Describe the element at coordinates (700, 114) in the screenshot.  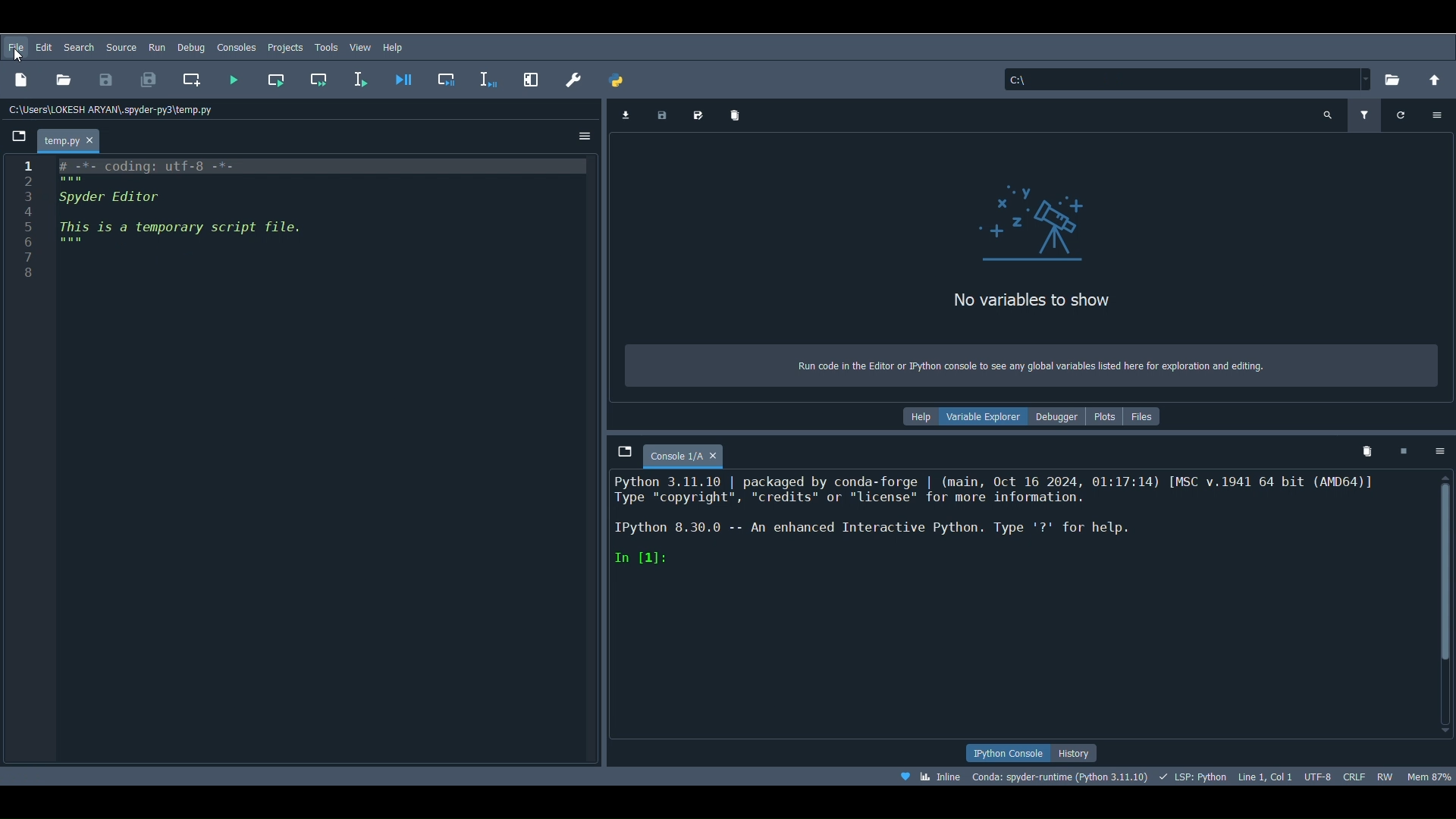
I see `Save data as` at that location.